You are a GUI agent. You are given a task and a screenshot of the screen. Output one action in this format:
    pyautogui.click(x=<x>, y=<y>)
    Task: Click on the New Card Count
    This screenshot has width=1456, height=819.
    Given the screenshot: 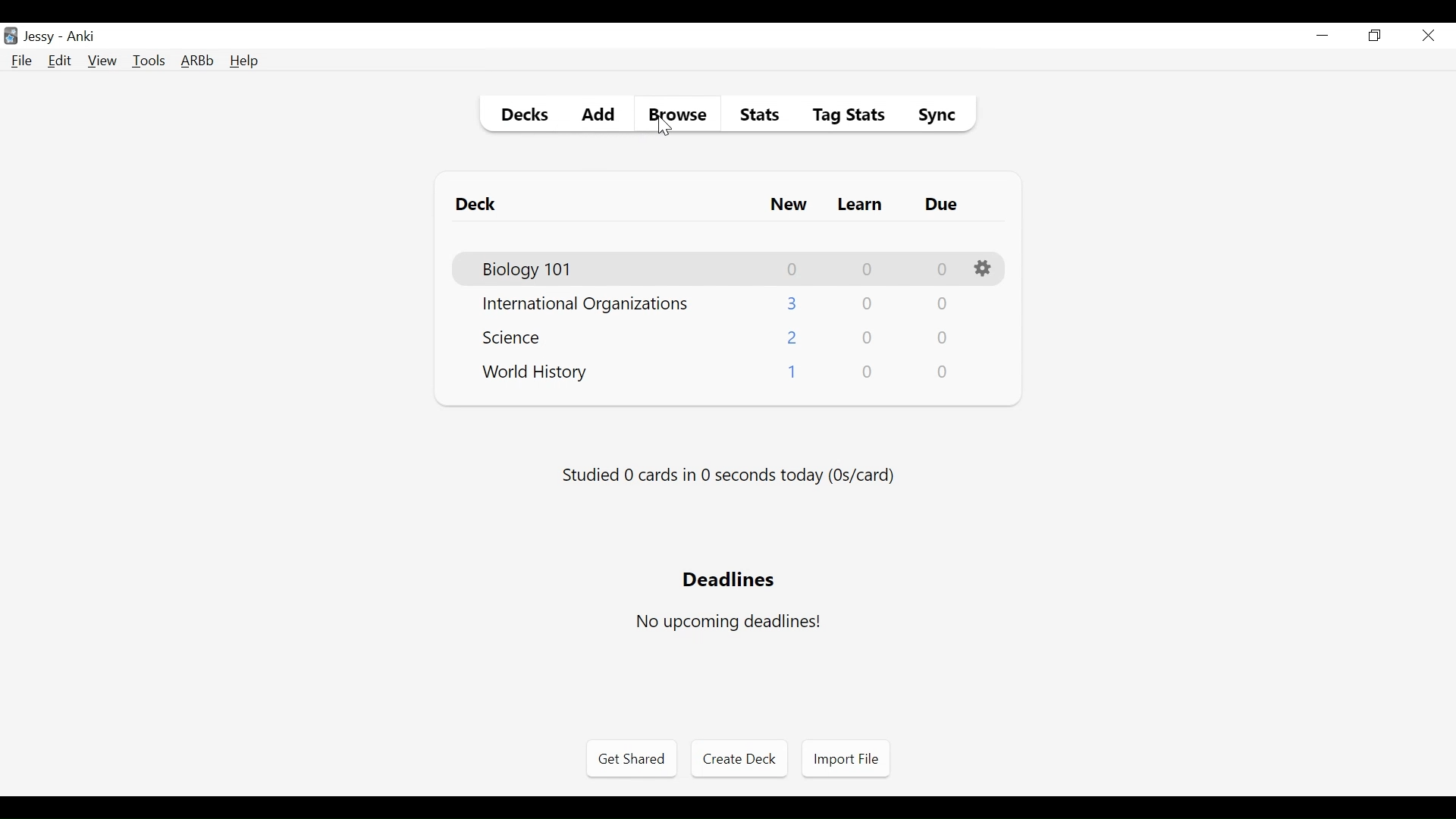 What is the action you would take?
    pyautogui.click(x=793, y=303)
    